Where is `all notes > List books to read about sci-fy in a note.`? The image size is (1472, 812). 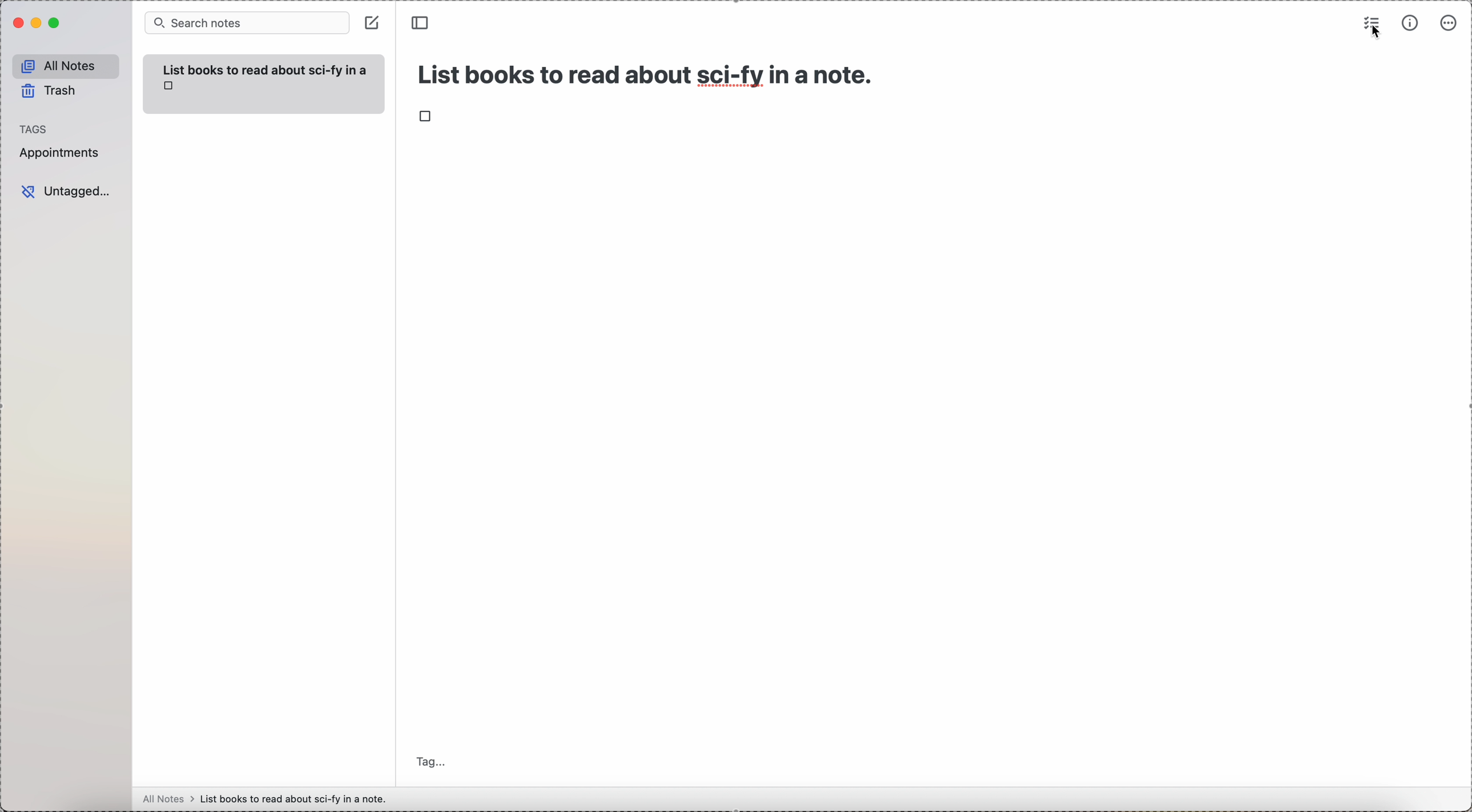 all notes > List books to read about sci-fy in a note. is located at coordinates (268, 798).